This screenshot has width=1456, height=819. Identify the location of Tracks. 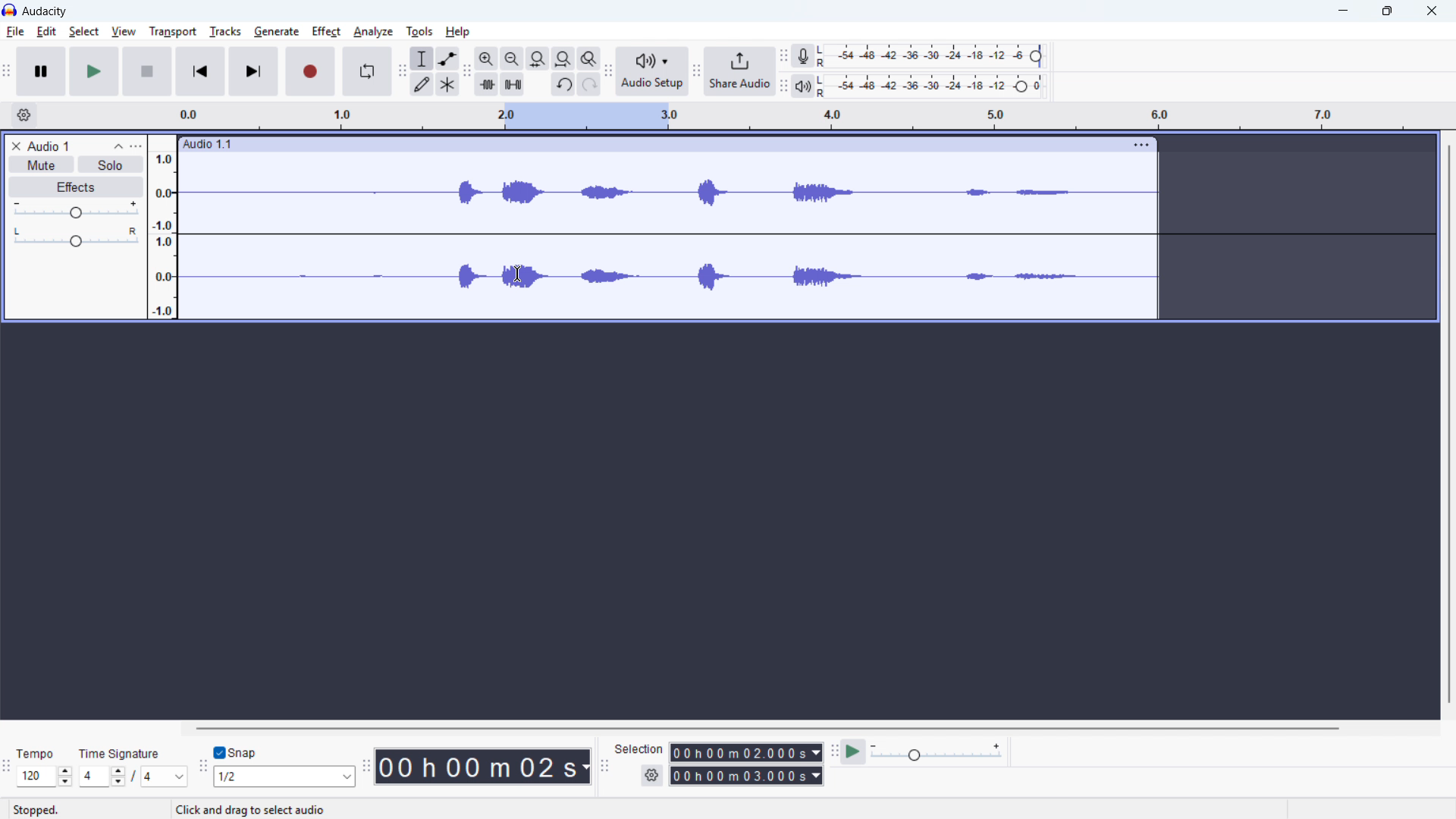
(226, 31).